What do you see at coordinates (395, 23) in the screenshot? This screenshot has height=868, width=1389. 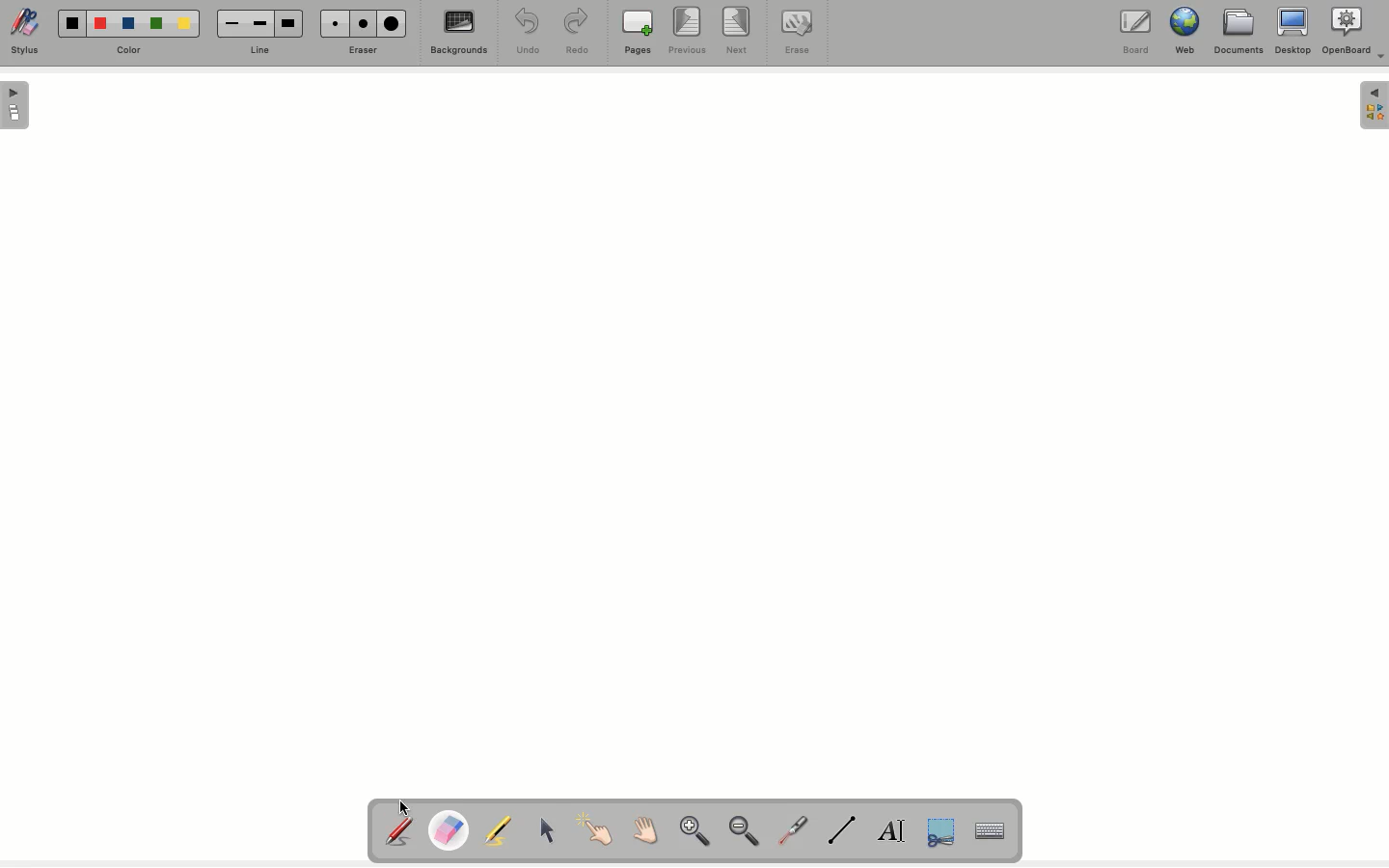 I see `Large ` at bounding box center [395, 23].